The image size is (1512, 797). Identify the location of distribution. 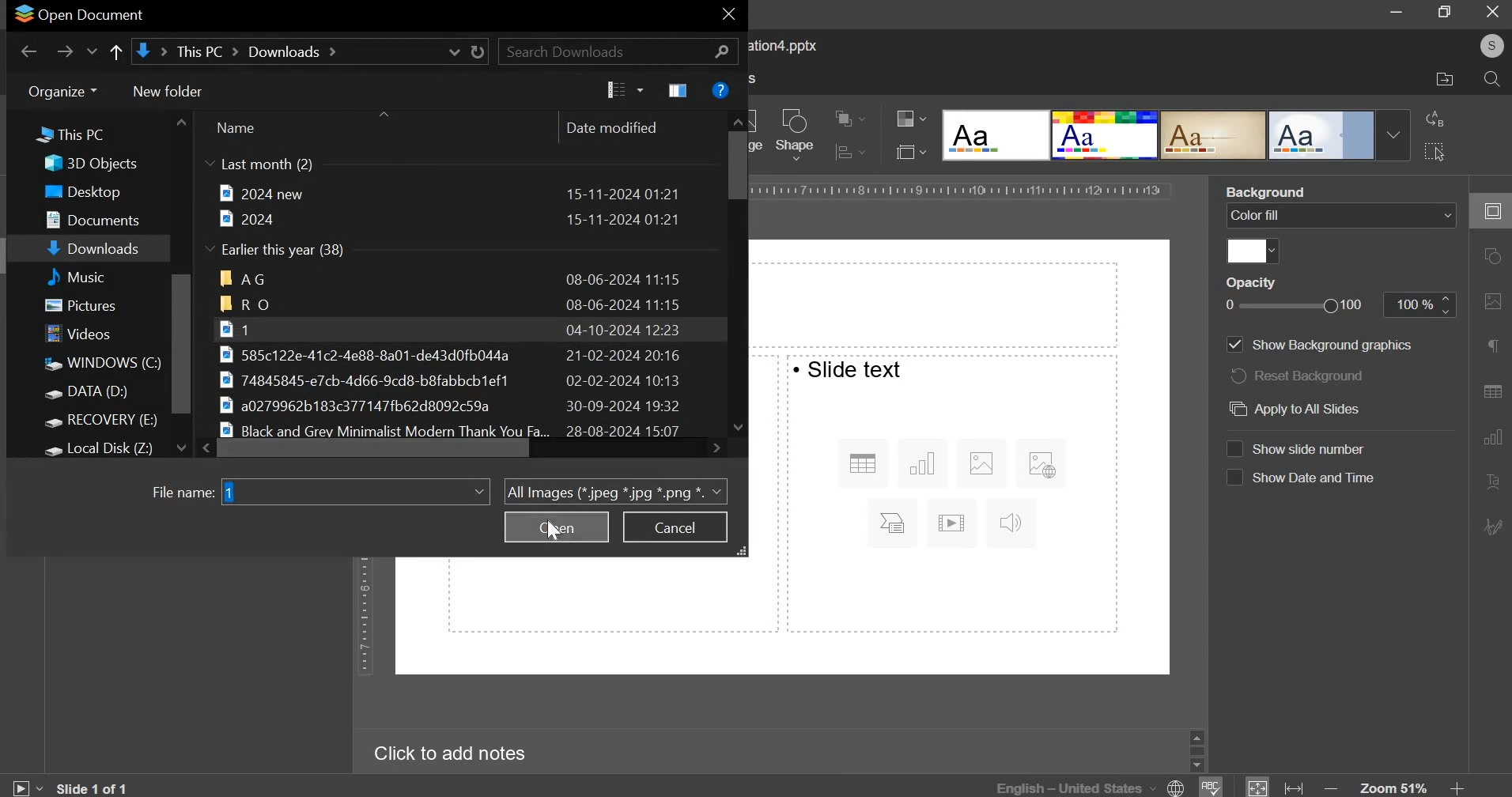
(847, 152).